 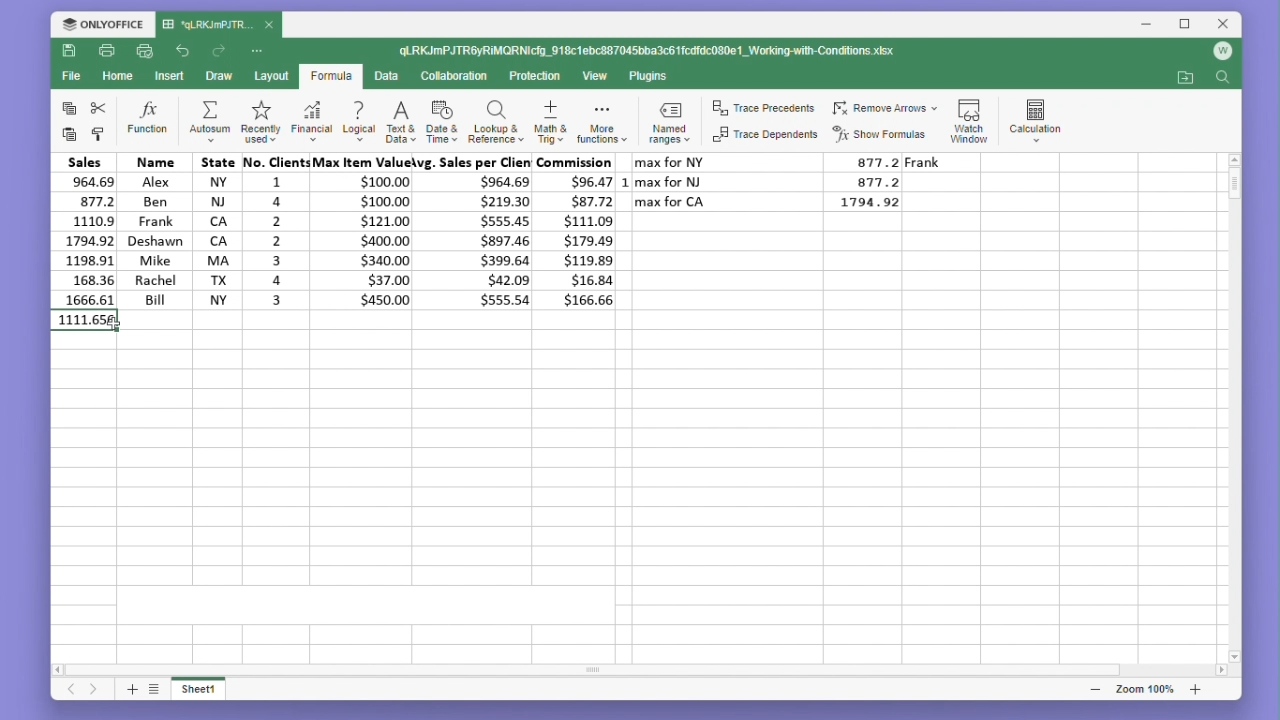 I want to click on quick print, so click(x=142, y=50).